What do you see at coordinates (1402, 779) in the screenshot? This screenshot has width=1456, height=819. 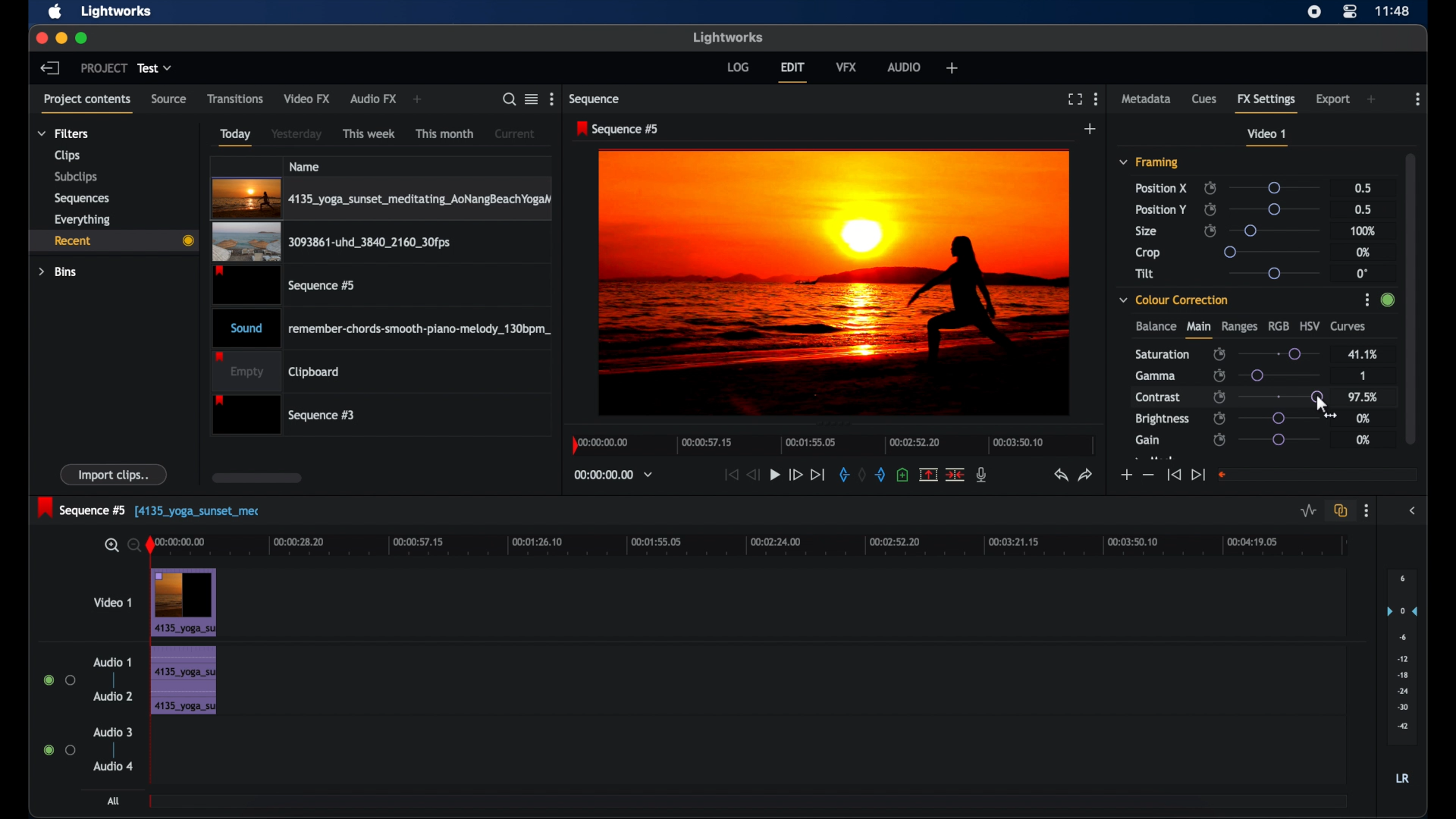 I see `LR` at bounding box center [1402, 779].